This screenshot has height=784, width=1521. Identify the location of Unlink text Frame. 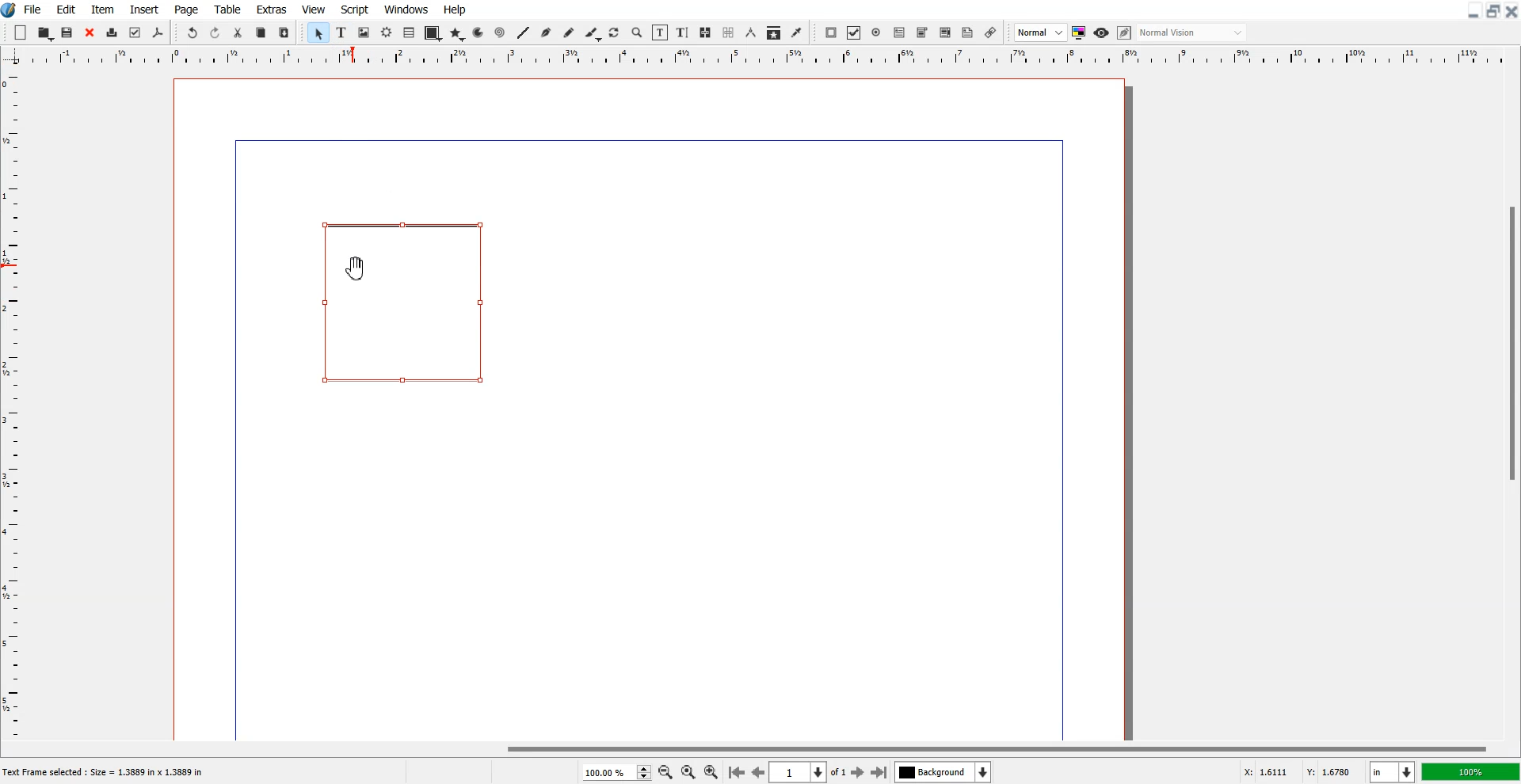
(729, 33).